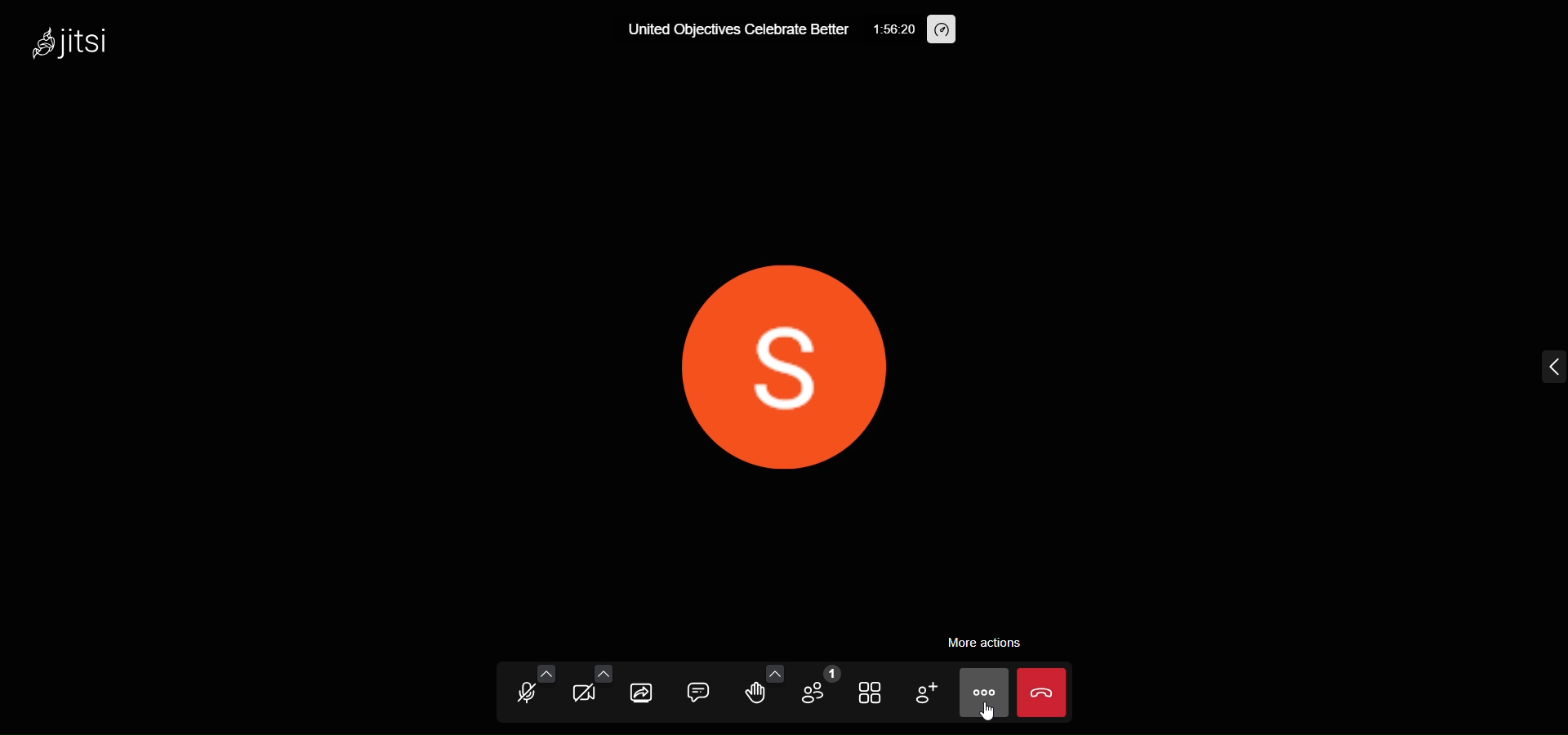 The height and width of the screenshot is (735, 1568). Describe the element at coordinates (604, 673) in the screenshot. I see `more video options` at that location.